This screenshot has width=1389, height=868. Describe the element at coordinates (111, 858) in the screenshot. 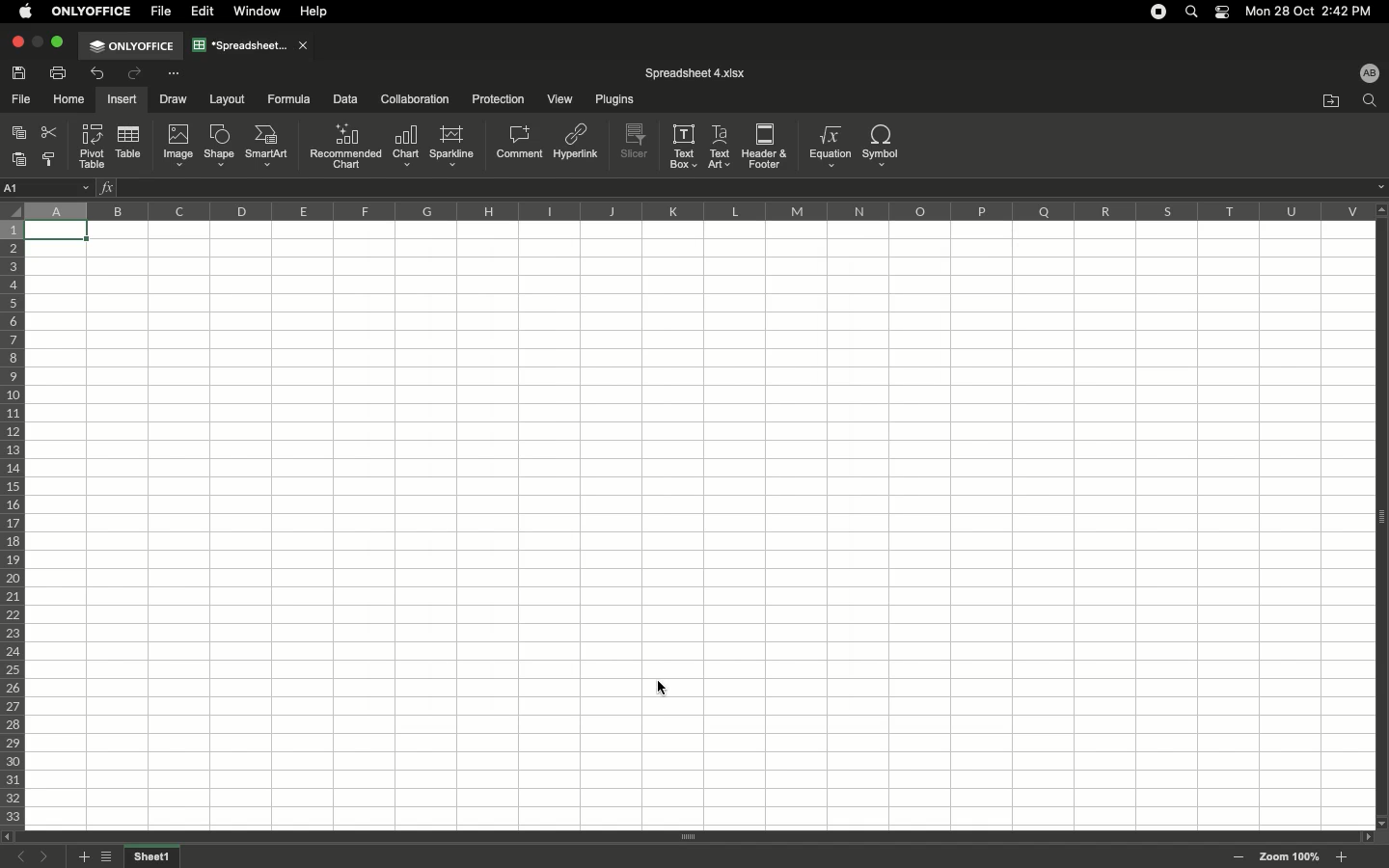

I see `List of sheets` at that location.